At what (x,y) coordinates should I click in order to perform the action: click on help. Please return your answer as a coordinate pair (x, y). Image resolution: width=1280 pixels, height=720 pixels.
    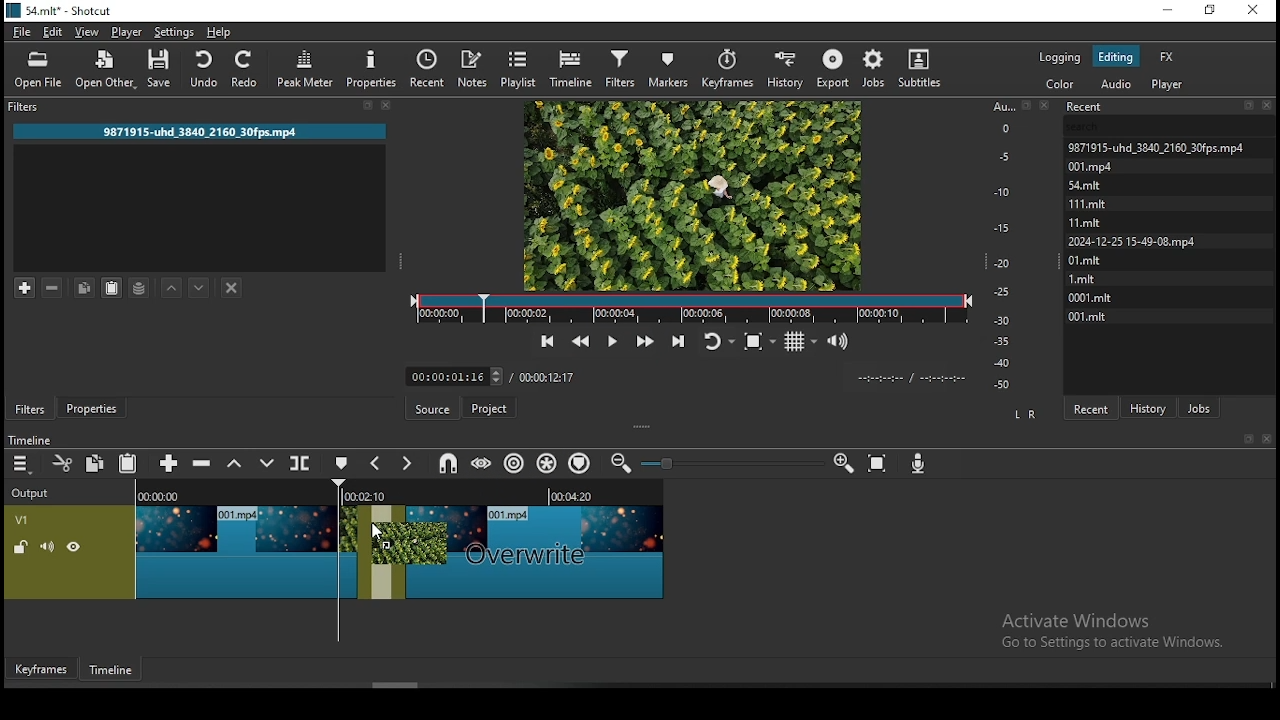
    Looking at the image, I should click on (221, 32).